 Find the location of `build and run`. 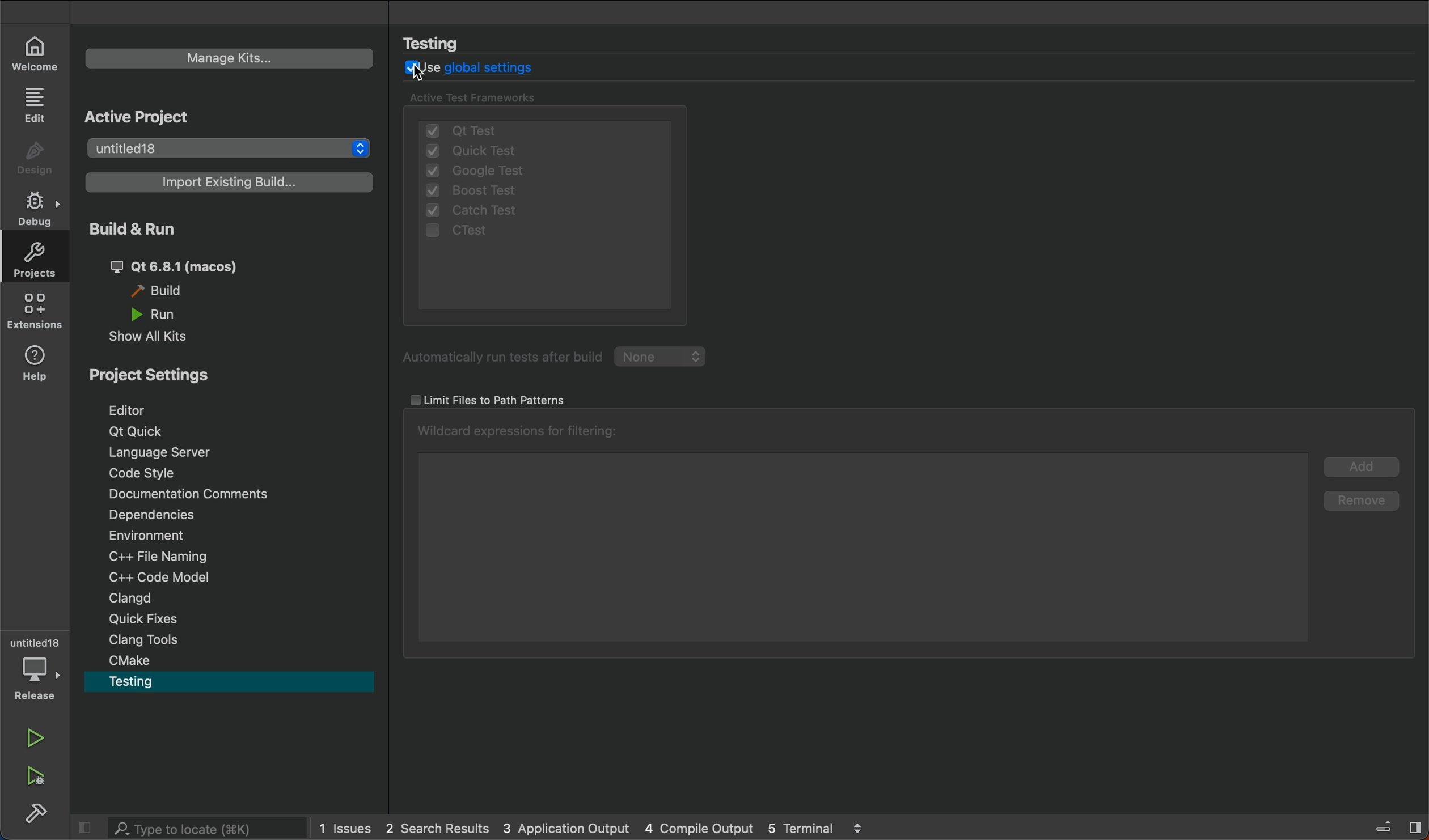

build and run is located at coordinates (228, 278).